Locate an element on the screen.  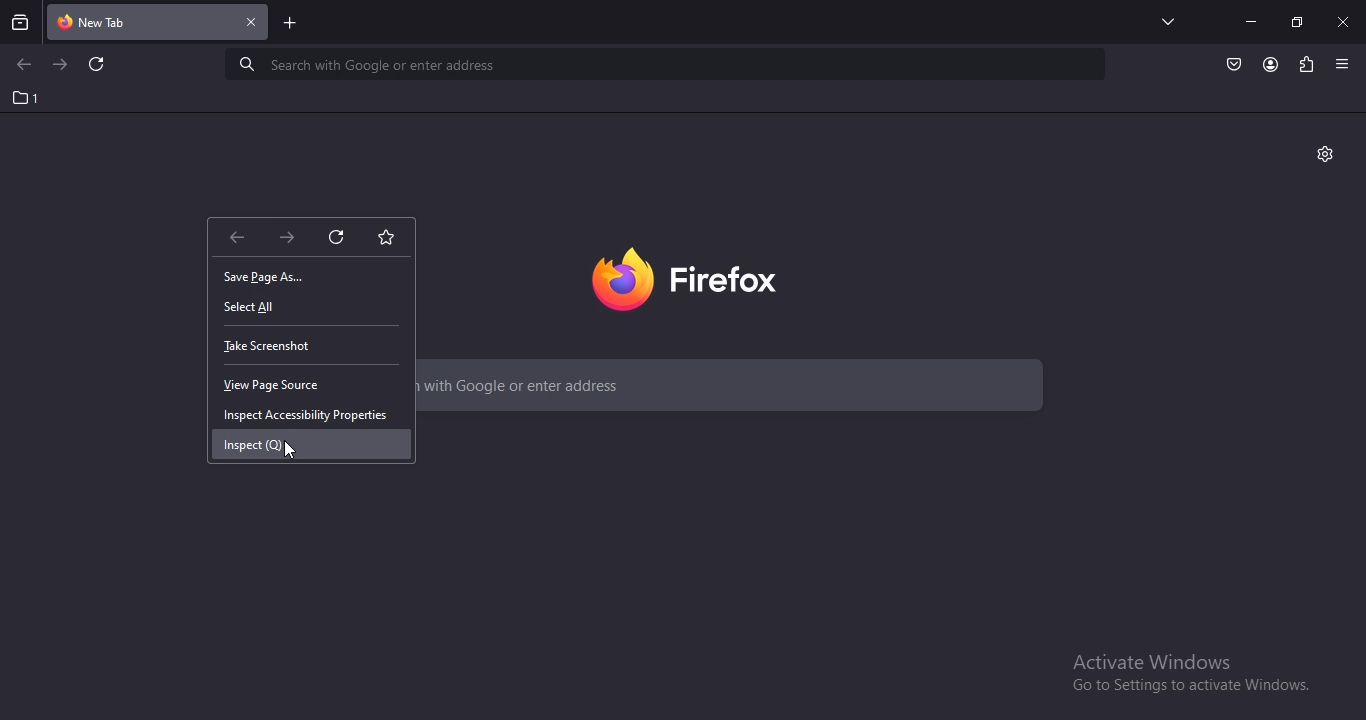
select all is located at coordinates (256, 307).